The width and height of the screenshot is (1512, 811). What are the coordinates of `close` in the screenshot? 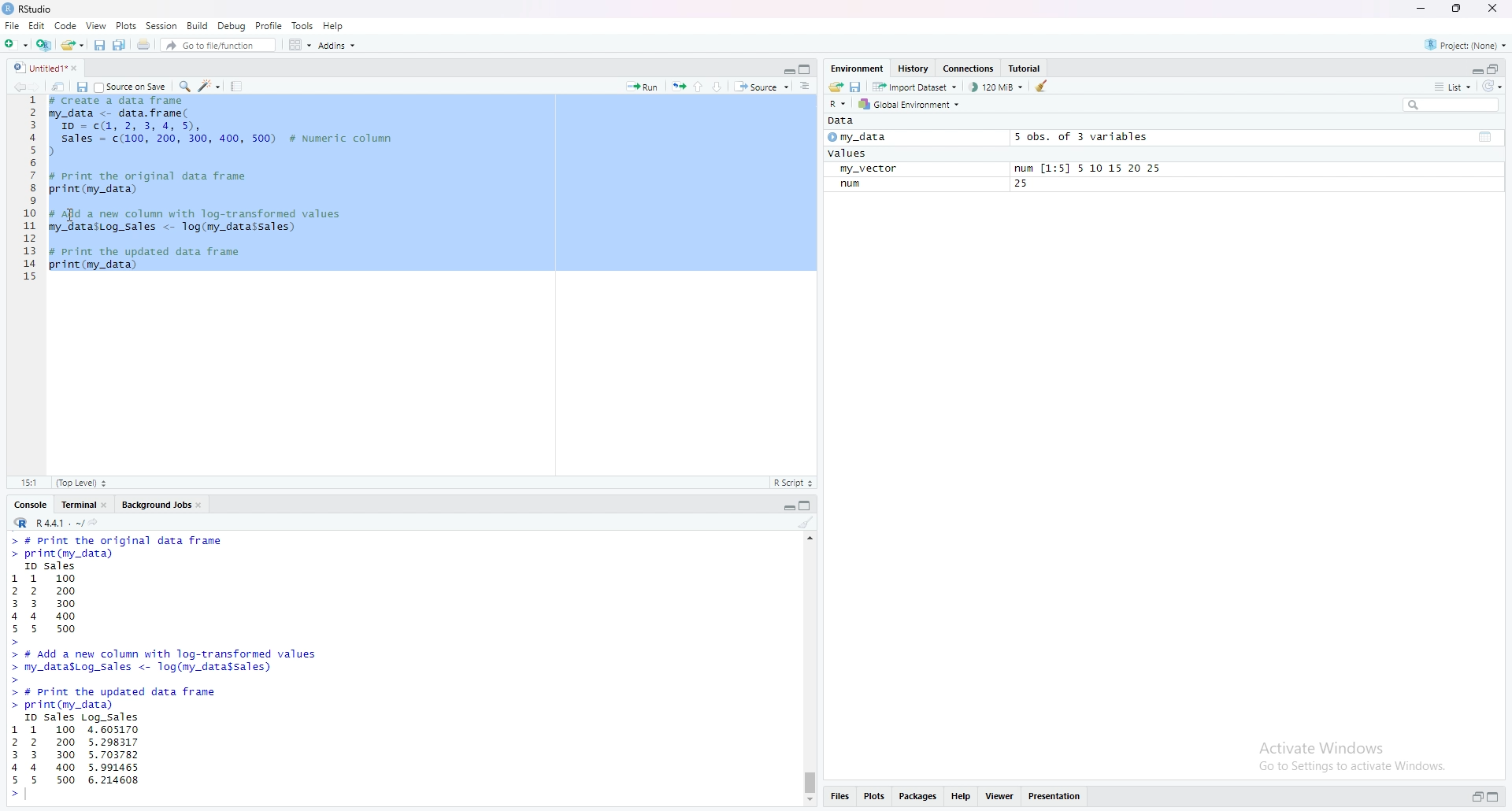 It's located at (109, 505).